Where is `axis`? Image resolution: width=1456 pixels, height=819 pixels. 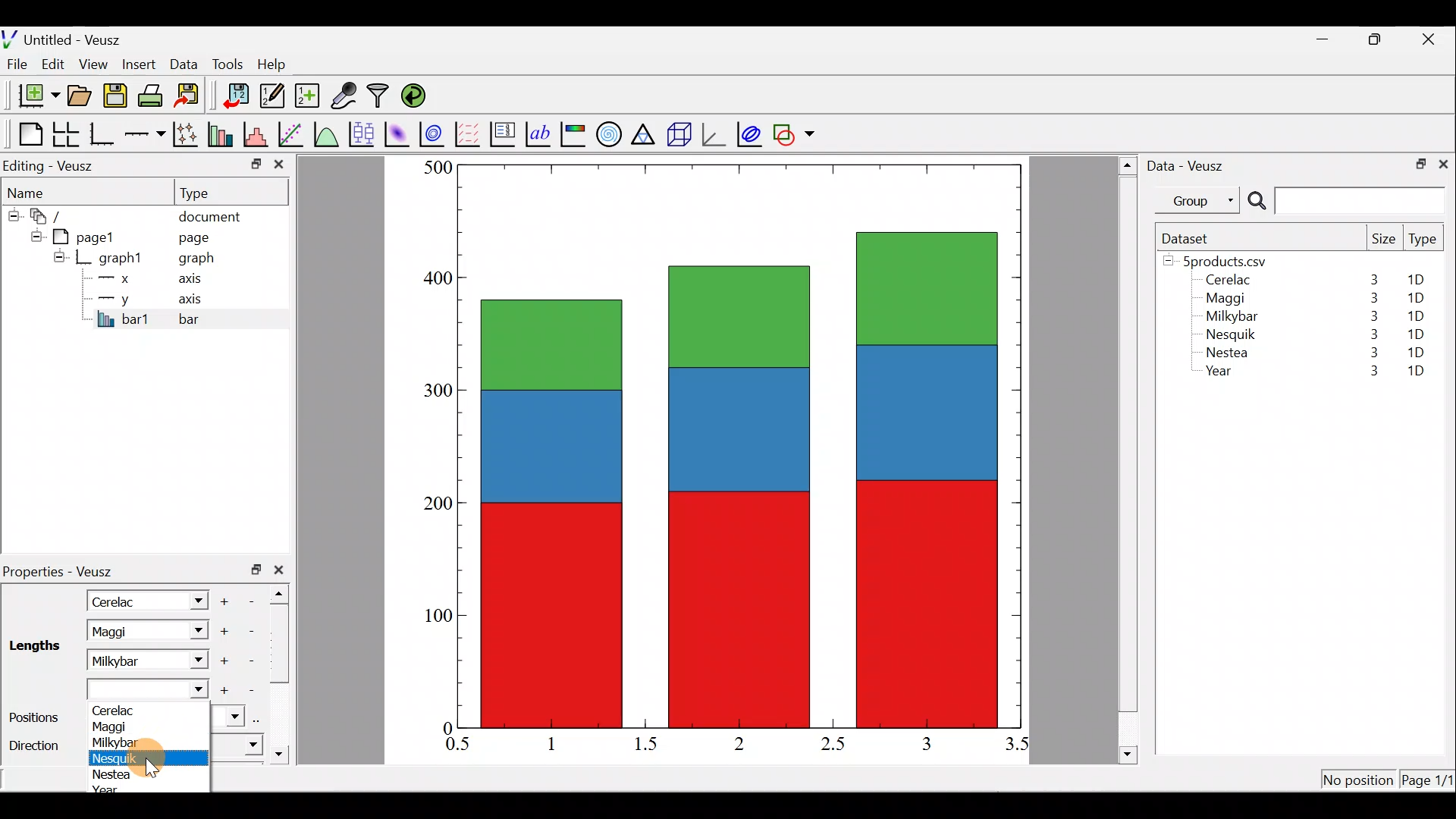
axis is located at coordinates (195, 281).